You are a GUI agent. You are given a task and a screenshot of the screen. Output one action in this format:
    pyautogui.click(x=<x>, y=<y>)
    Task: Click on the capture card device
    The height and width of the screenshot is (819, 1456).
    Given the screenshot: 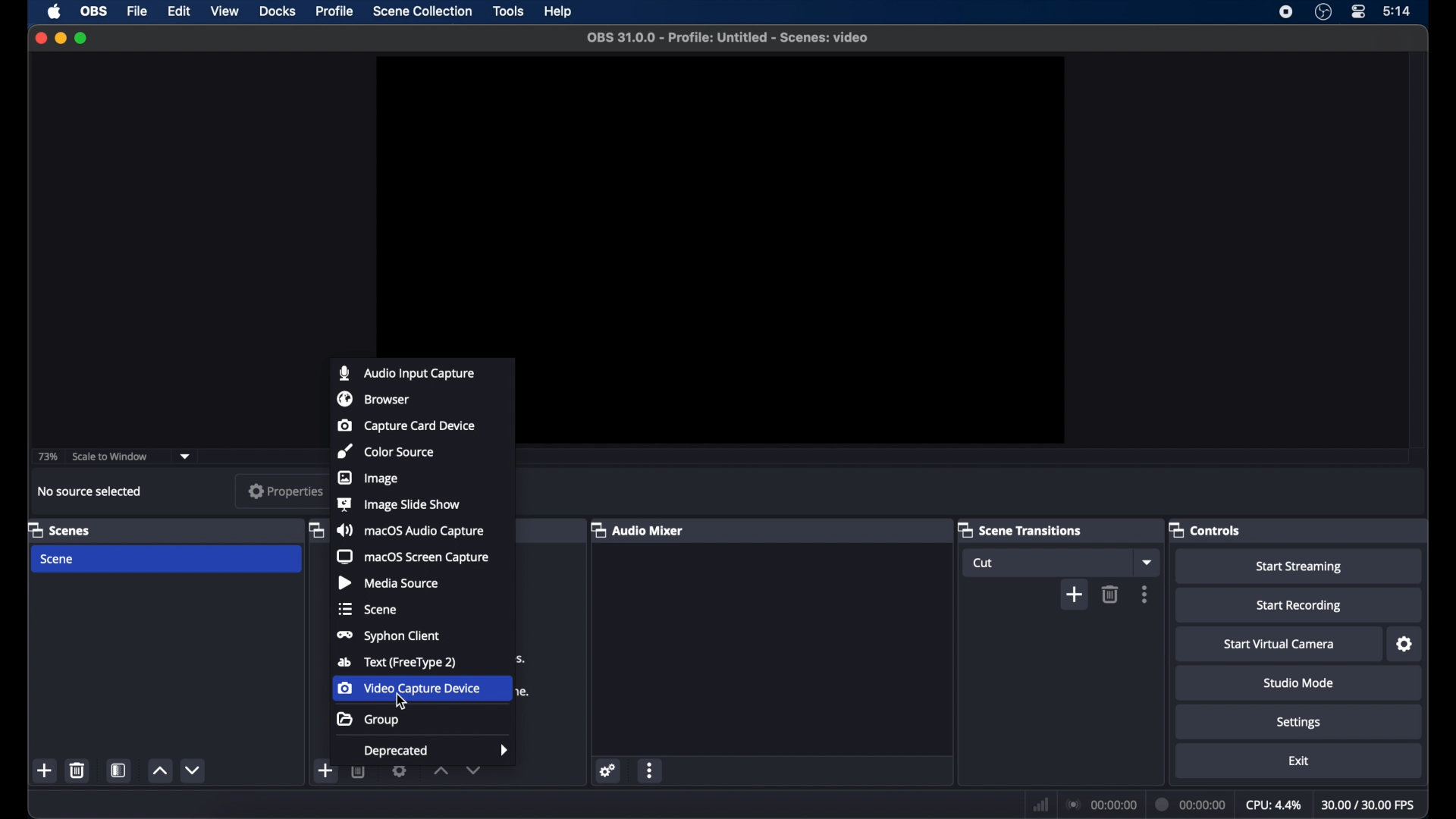 What is the action you would take?
    pyautogui.click(x=406, y=425)
    